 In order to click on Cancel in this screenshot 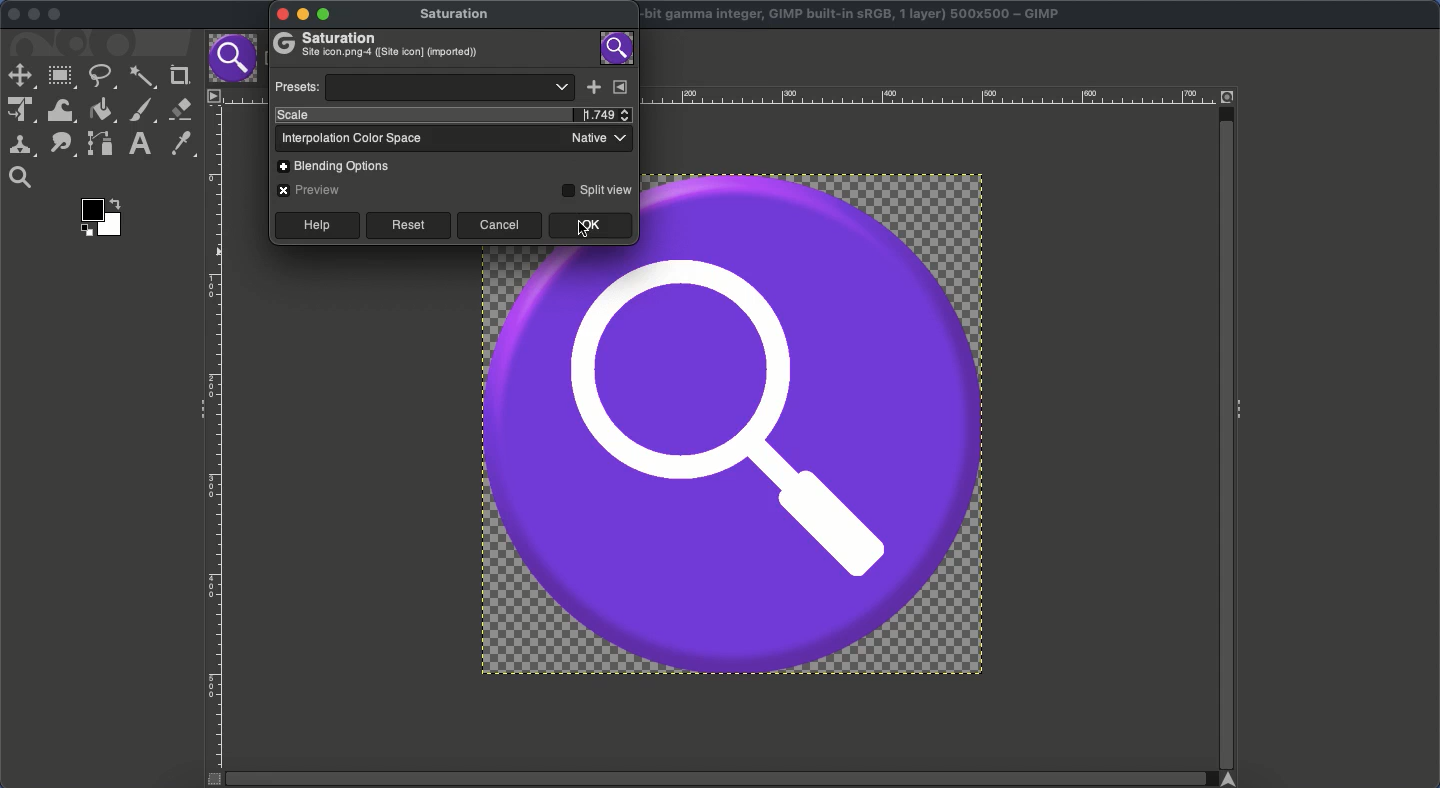, I will do `click(499, 225)`.